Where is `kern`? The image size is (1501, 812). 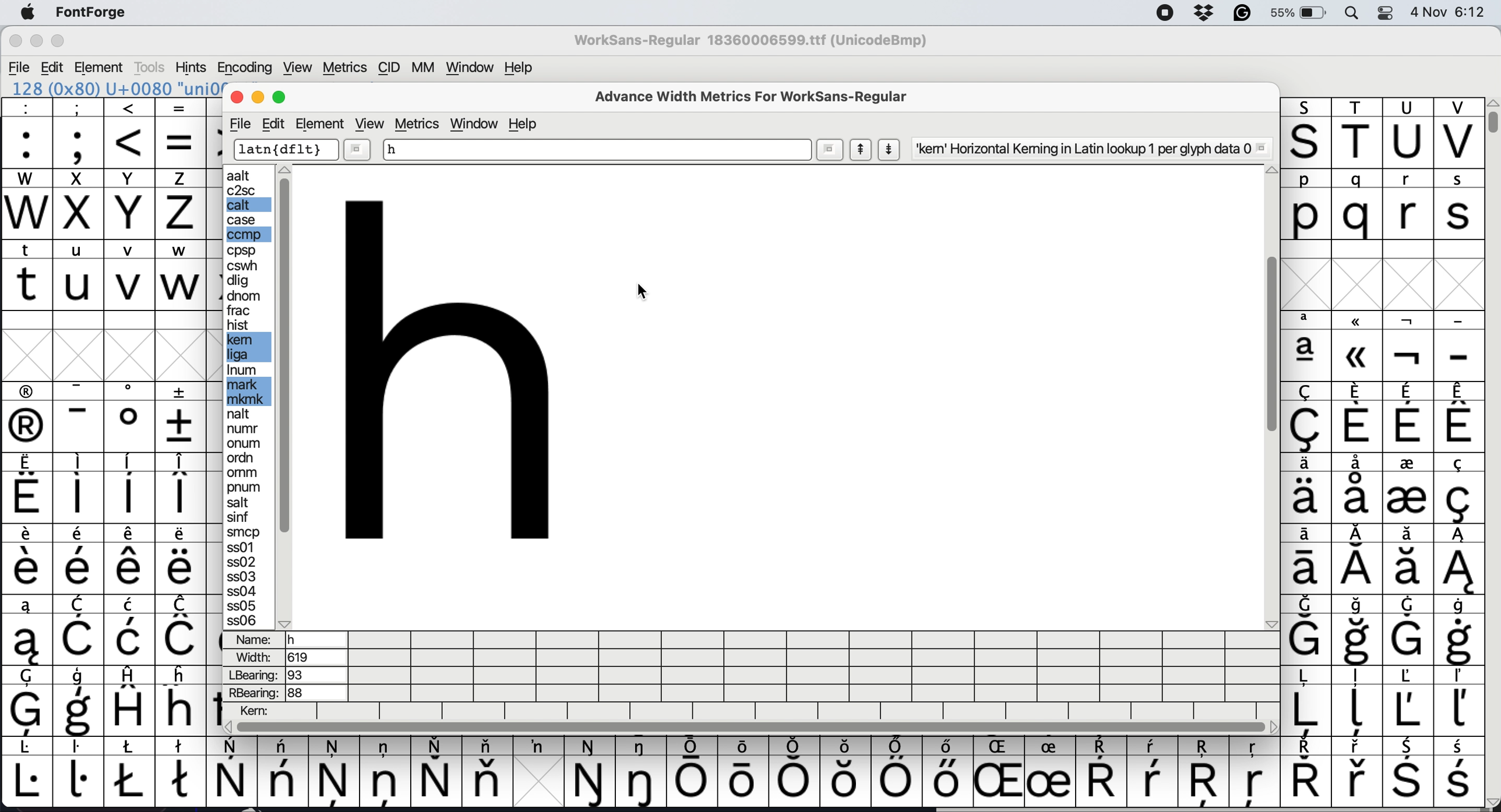 kern is located at coordinates (261, 711).